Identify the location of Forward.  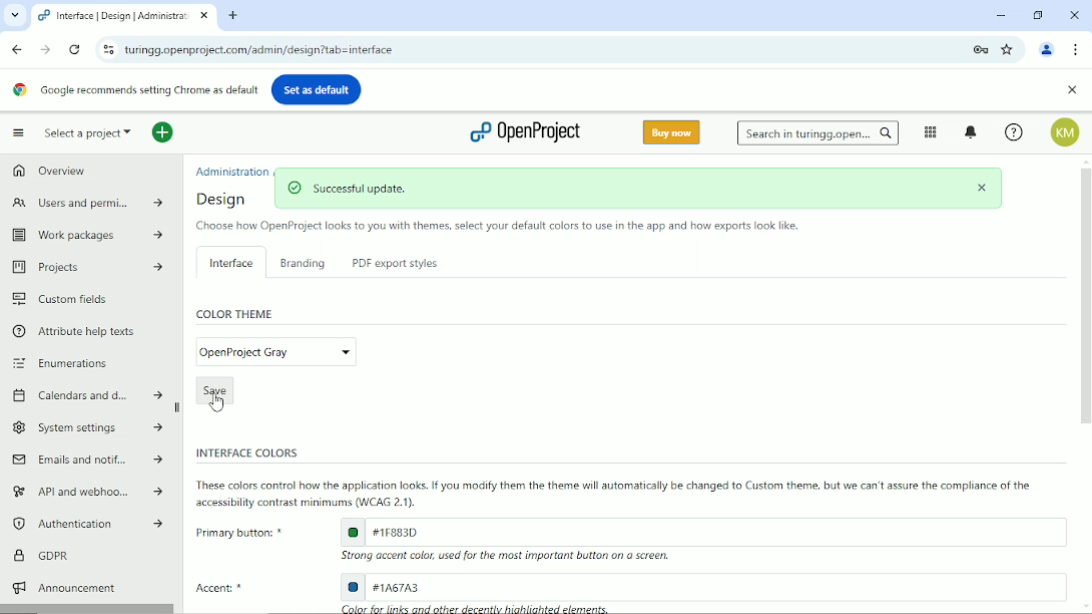
(44, 49).